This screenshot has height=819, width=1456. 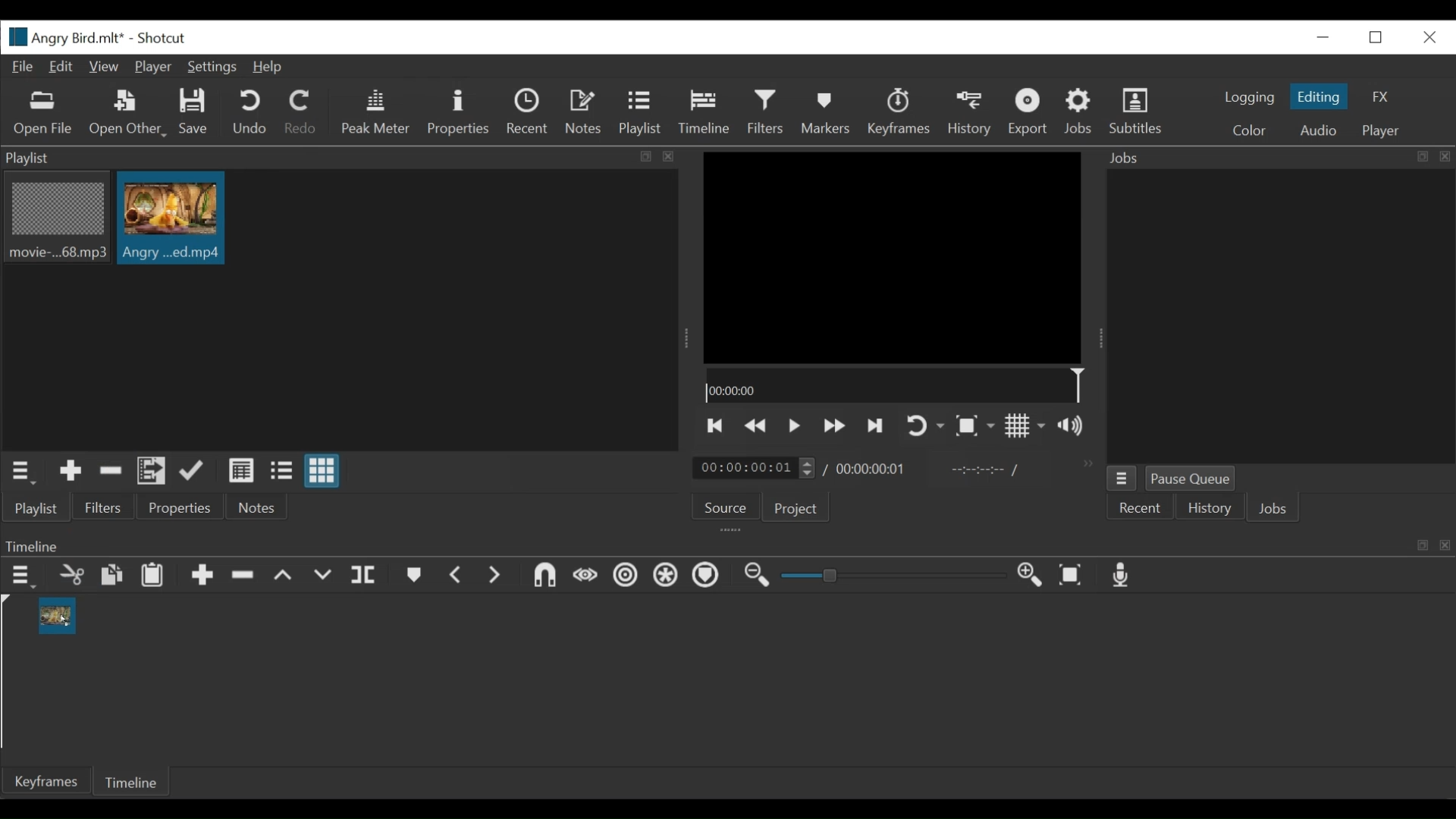 I want to click on Toggle Zoom, so click(x=974, y=426).